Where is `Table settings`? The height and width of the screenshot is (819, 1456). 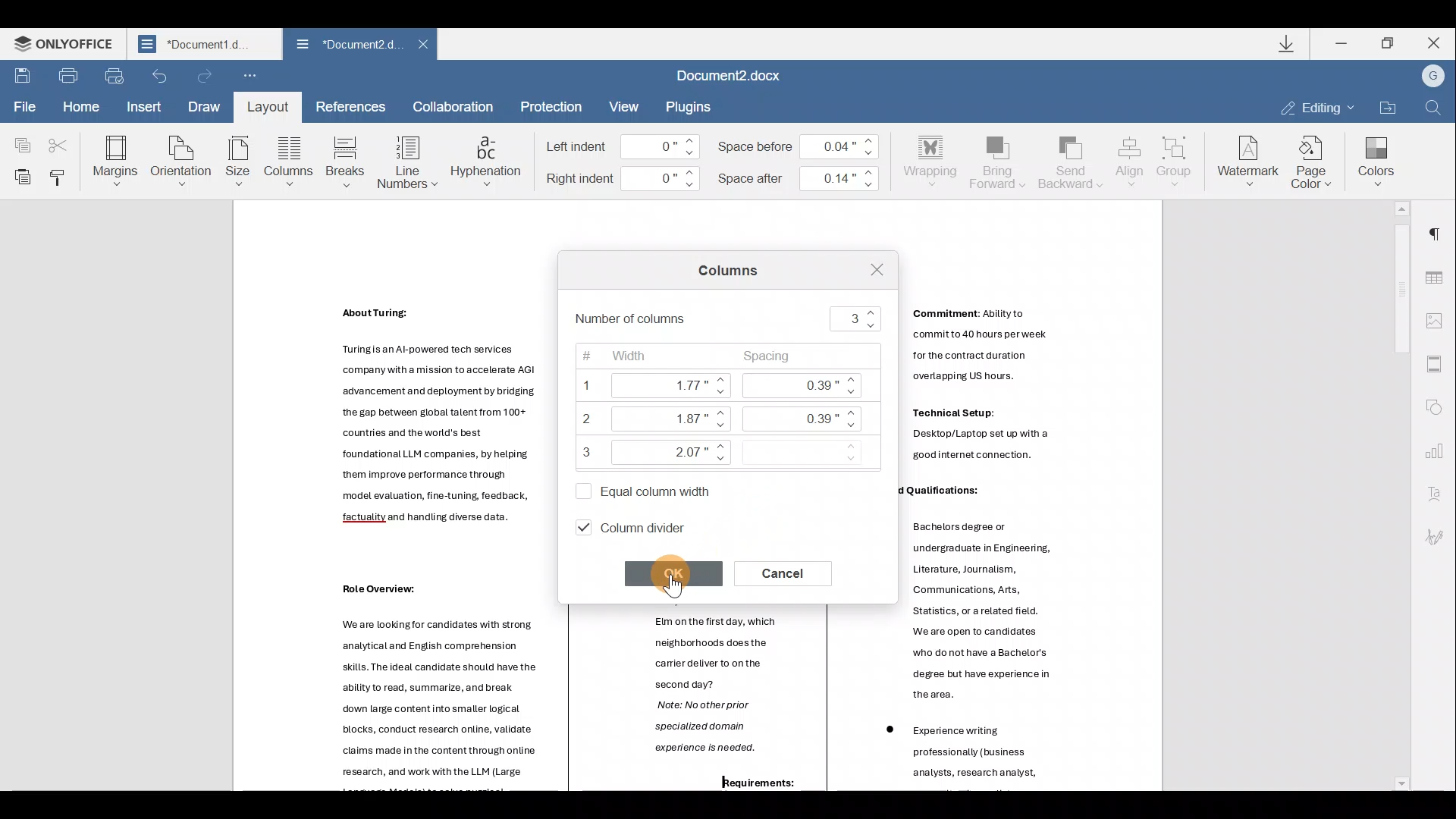
Table settings is located at coordinates (1439, 272).